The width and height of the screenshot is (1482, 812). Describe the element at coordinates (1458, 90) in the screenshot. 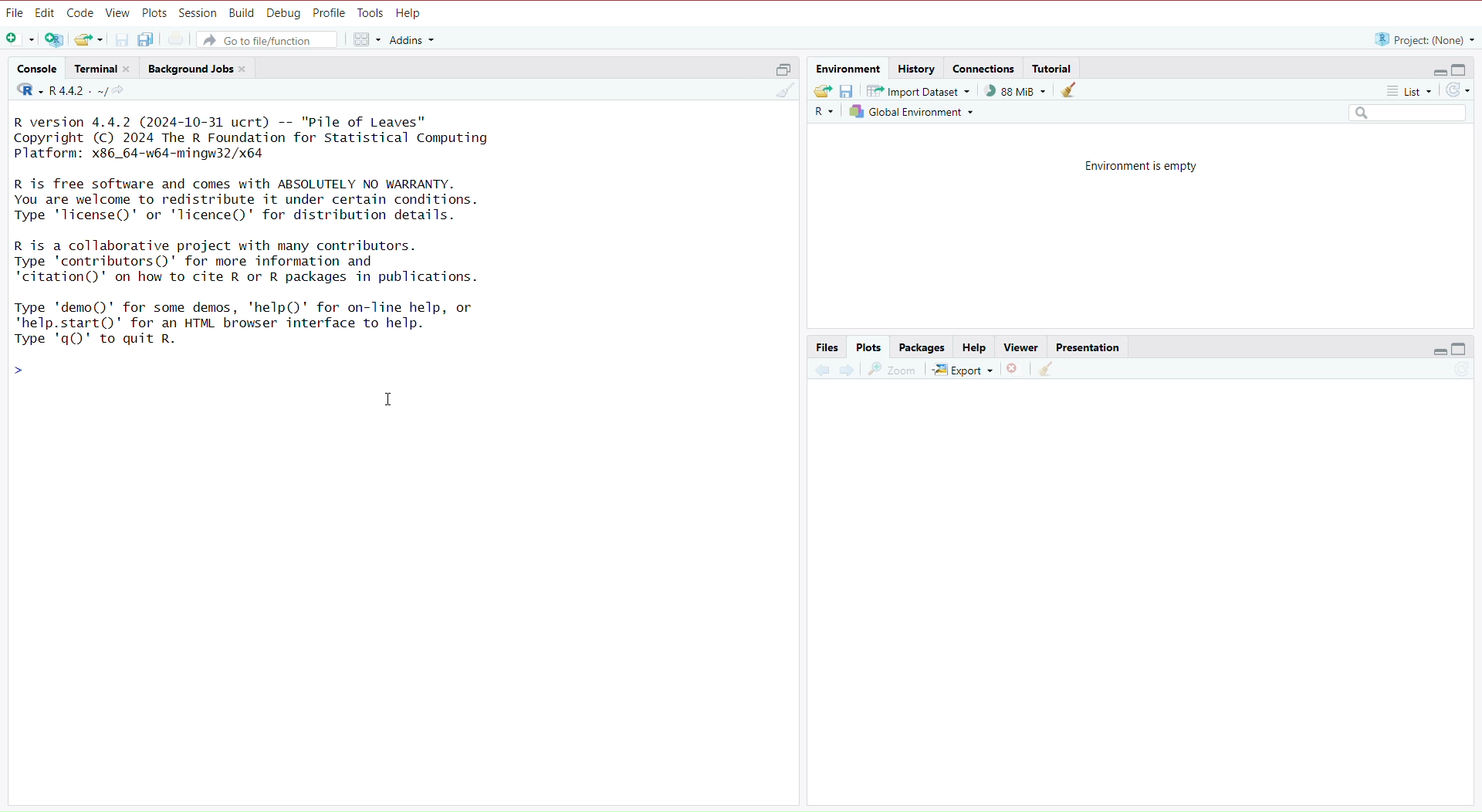

I see `refresh list` at that location.